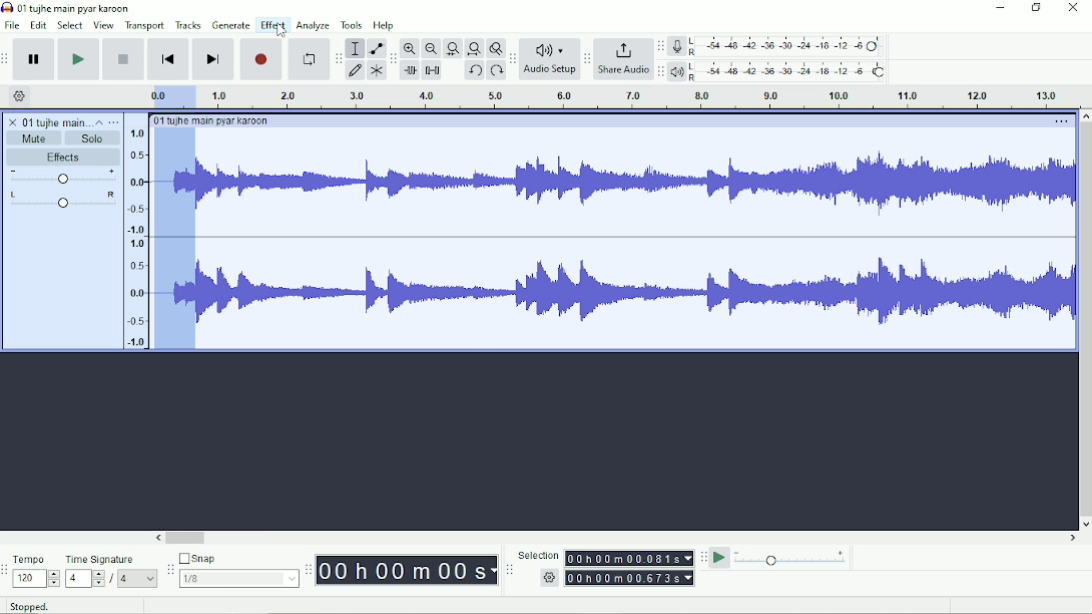 This screenshot has height=614, width=1092. What do you see at coordinates (103, 25) in the screenshot?
I see `View` at bounding box center [103, 25].